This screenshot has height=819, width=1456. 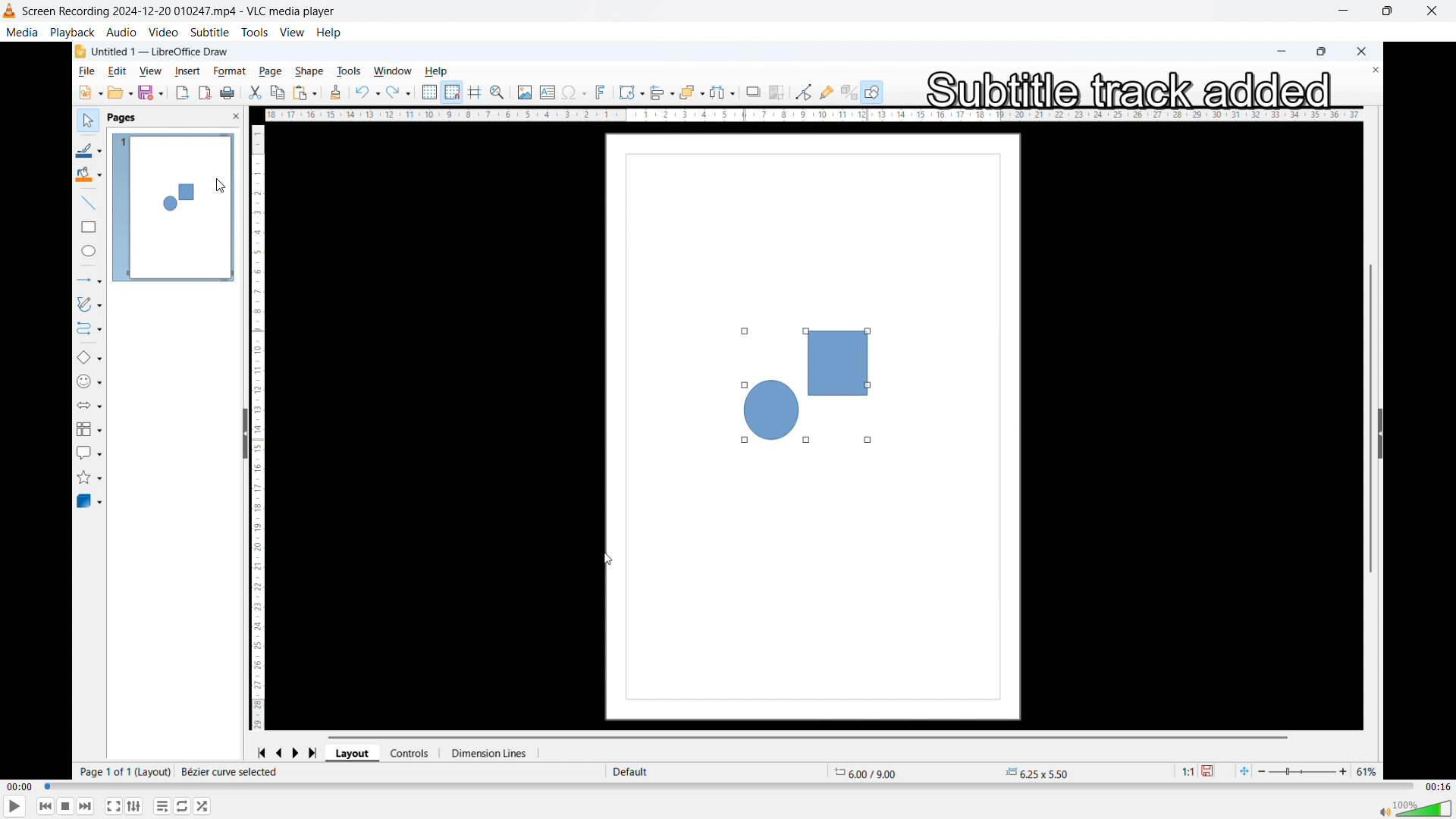 What do you see at coordinates (1432, 11) in the screenshot?
I see `close ` at bounding box center [1432, 11].